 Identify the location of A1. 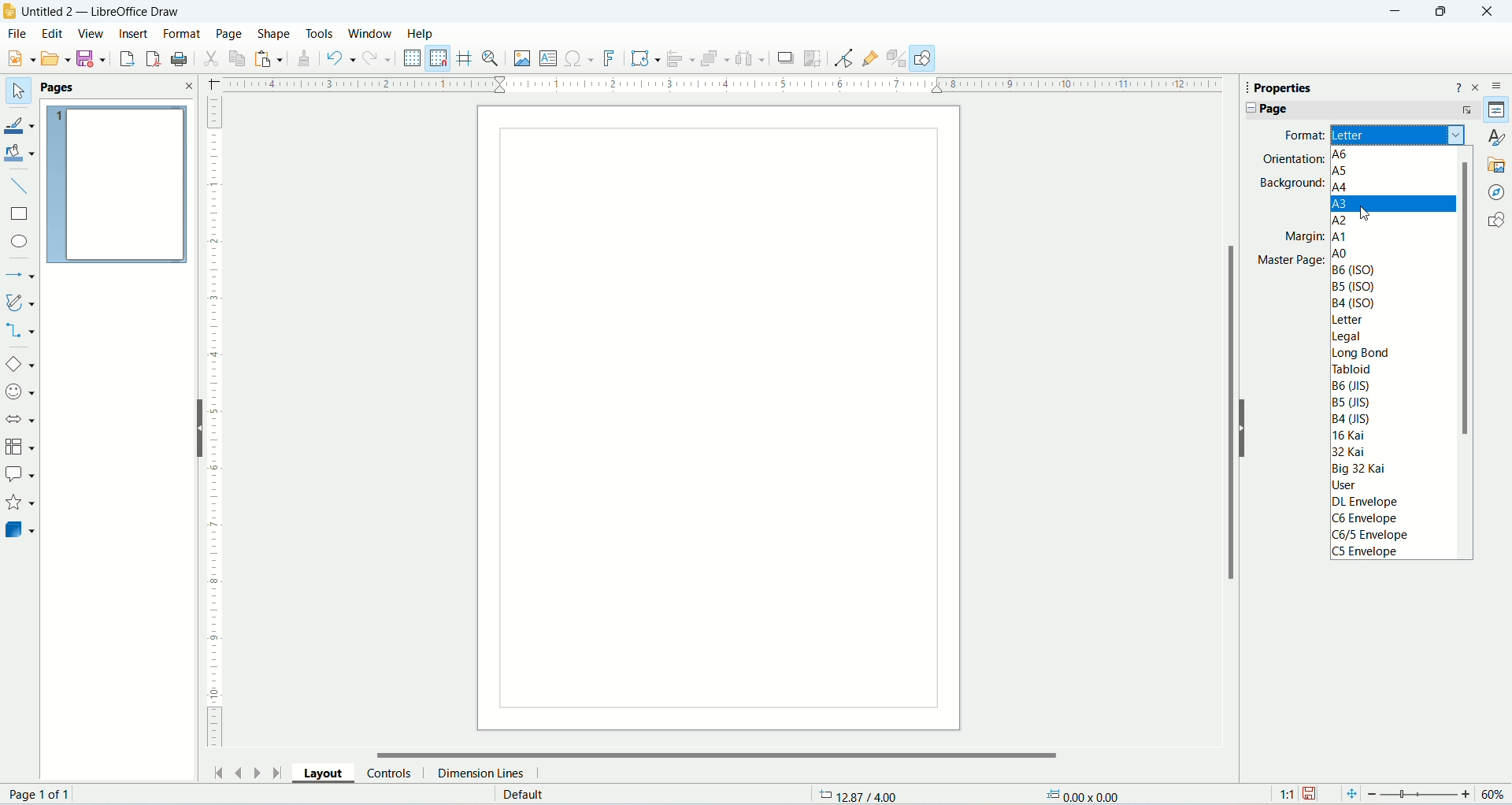
(1340, 236).